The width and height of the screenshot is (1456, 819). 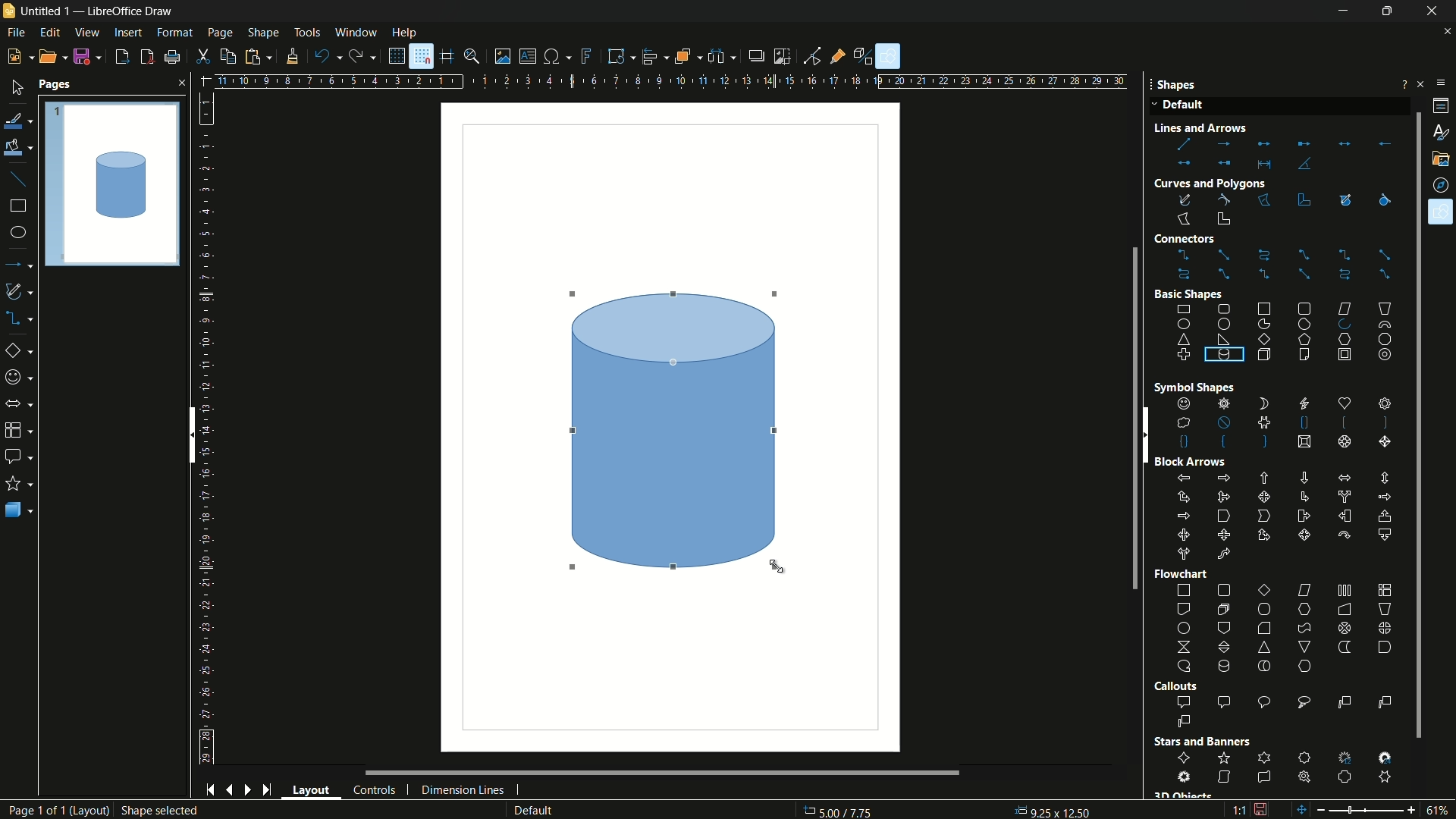 I want to click on curves and polygons, so click(x=21, y=292).